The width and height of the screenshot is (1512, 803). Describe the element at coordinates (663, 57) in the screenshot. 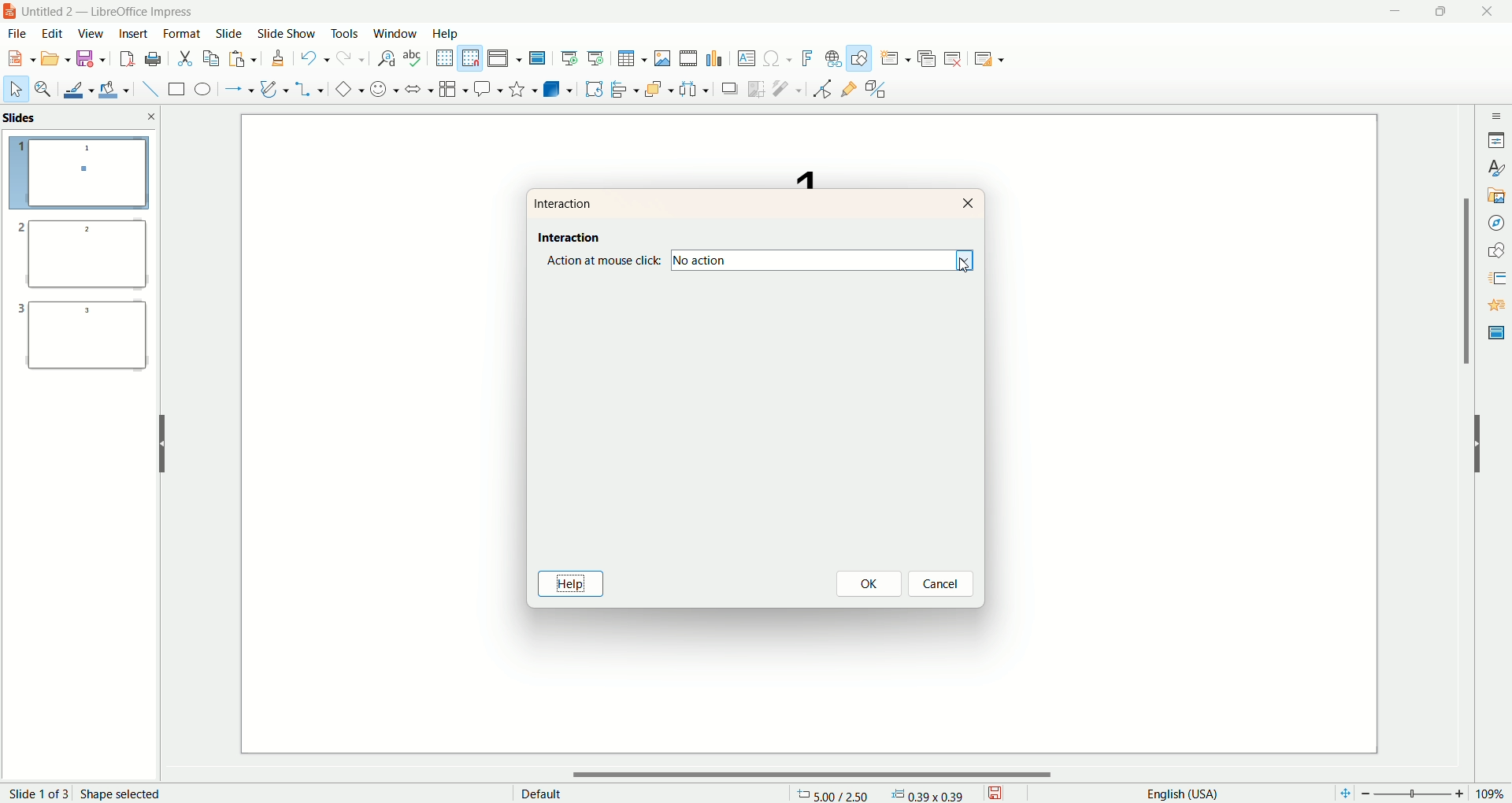

I see `insert image` at that location.